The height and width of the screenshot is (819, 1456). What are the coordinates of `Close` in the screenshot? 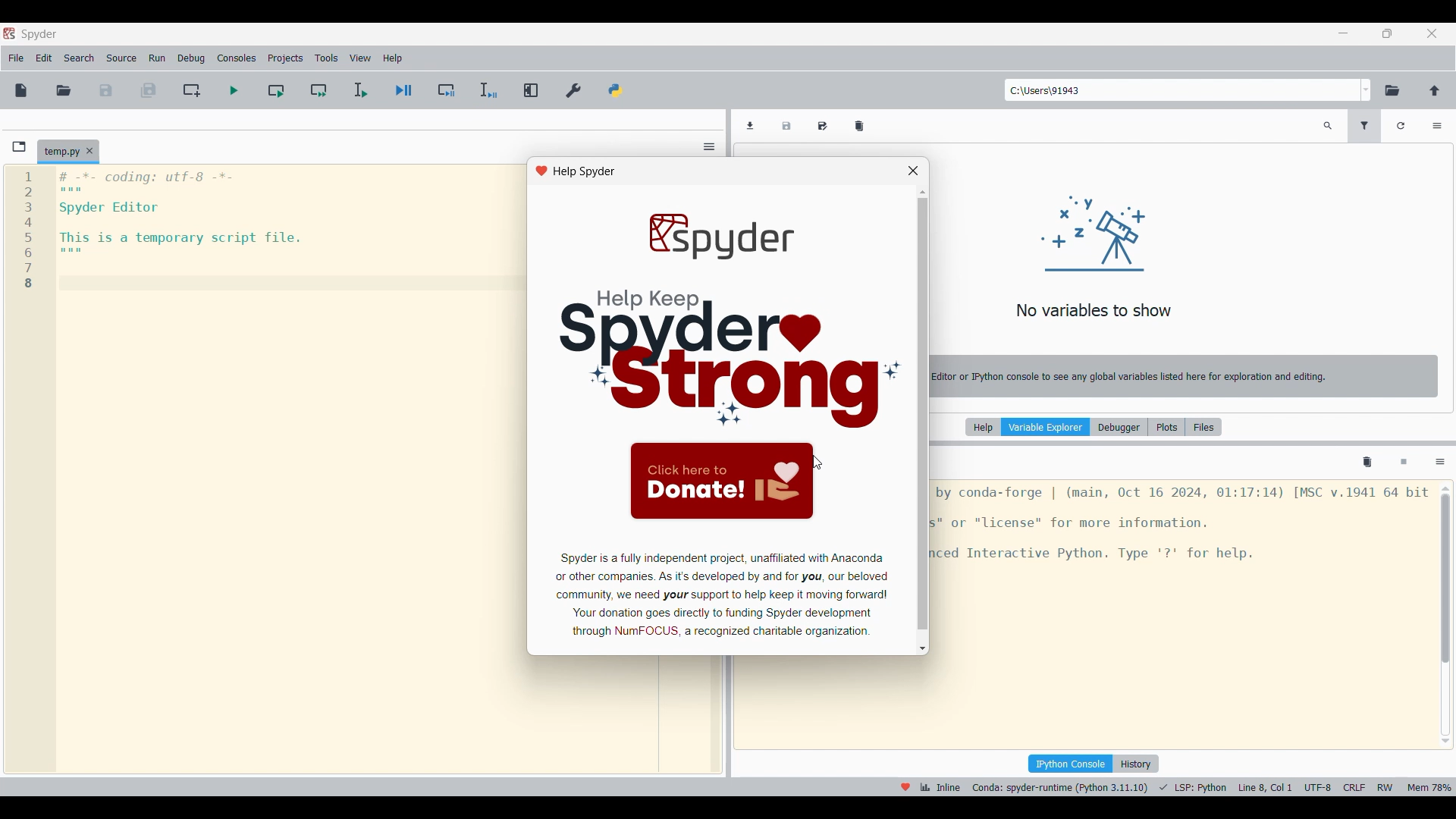 It's located at (90, 151).